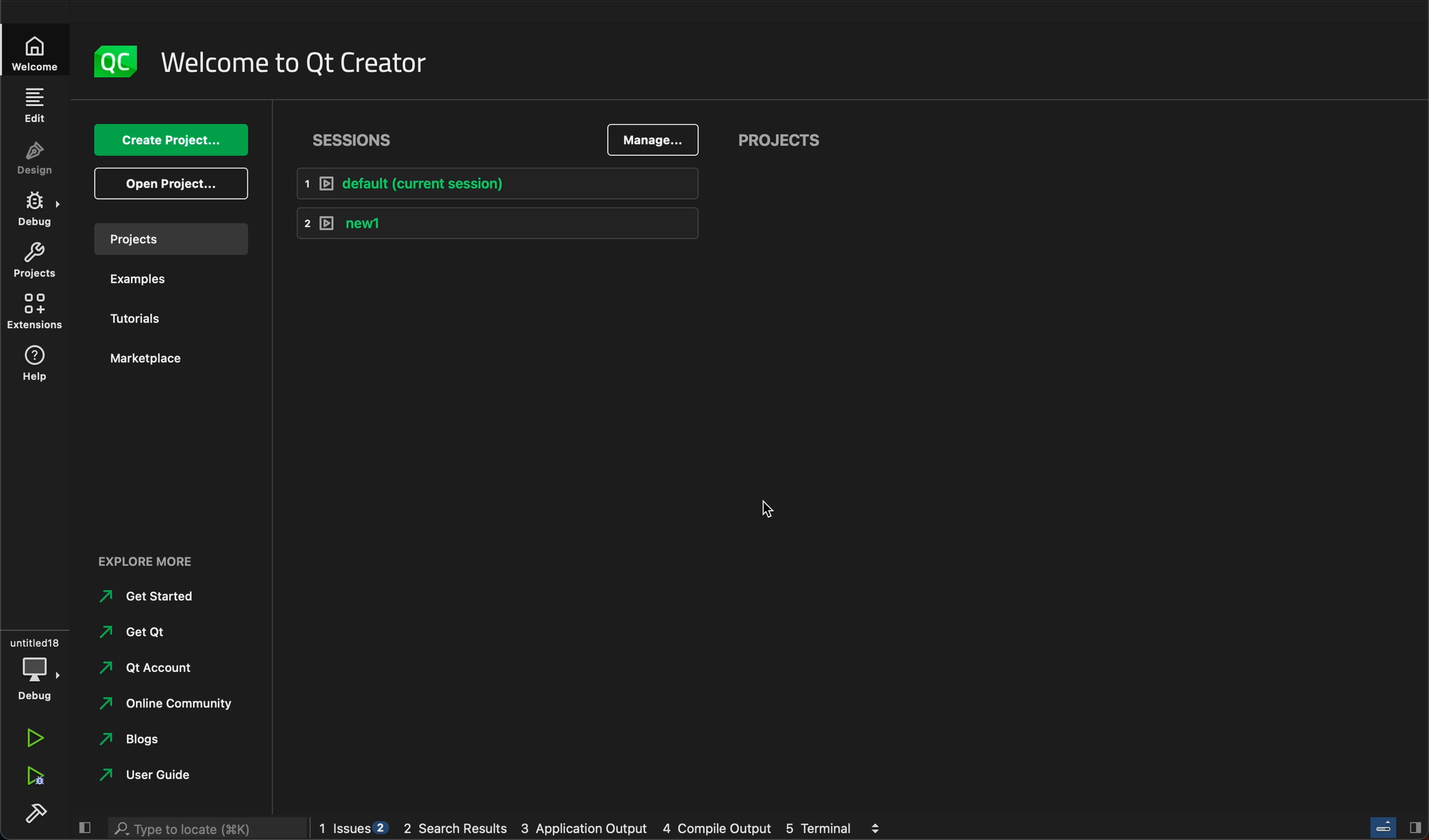  I want to click on run debug, so click(33, 777).